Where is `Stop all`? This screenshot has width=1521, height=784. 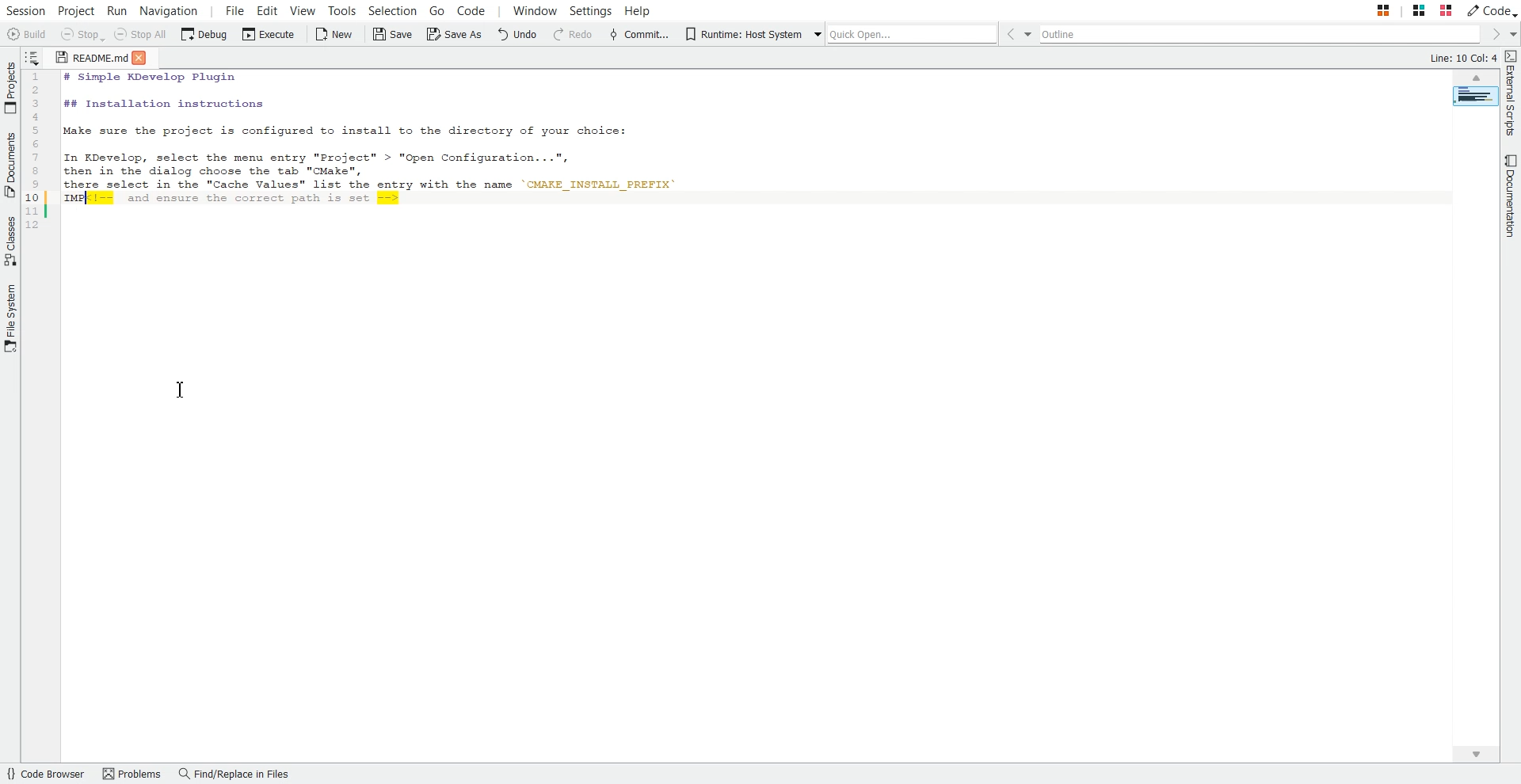 Stop all is located at coordinates (140, 35).